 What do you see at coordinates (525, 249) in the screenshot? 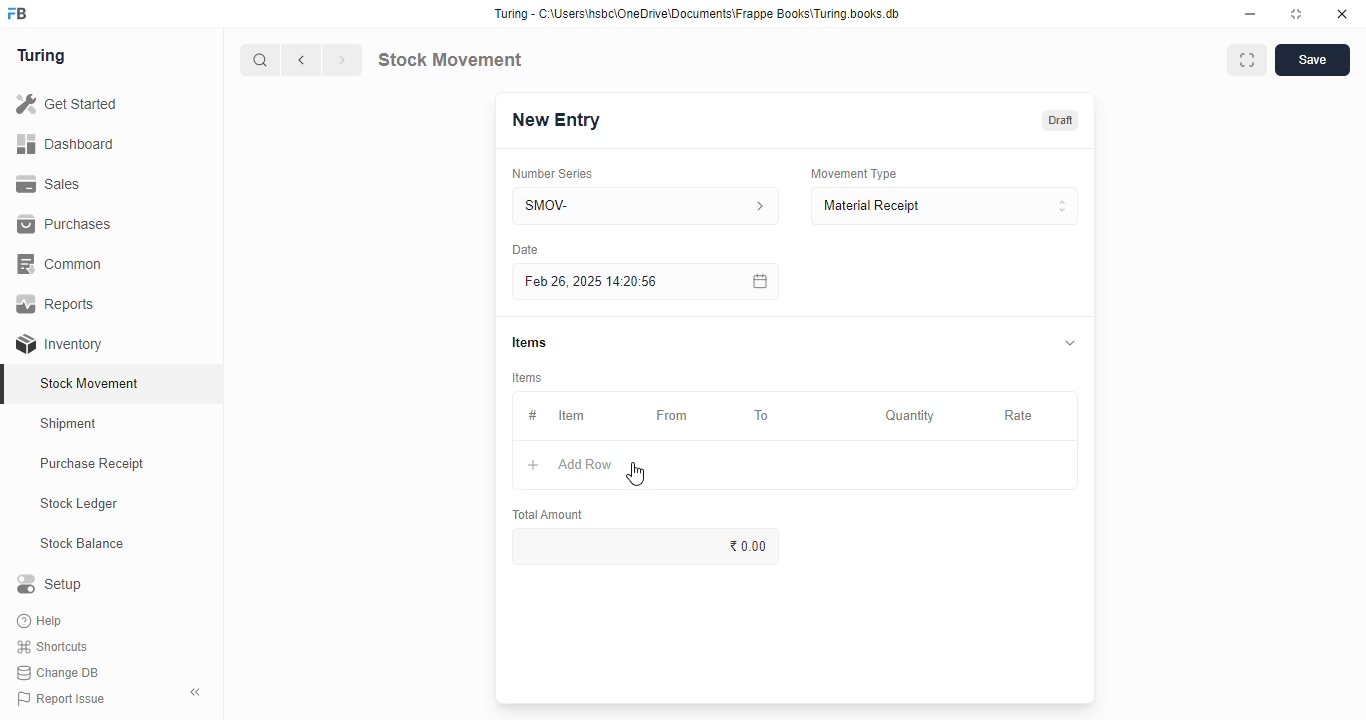
I see `Date` at bounding box center [525, 249].